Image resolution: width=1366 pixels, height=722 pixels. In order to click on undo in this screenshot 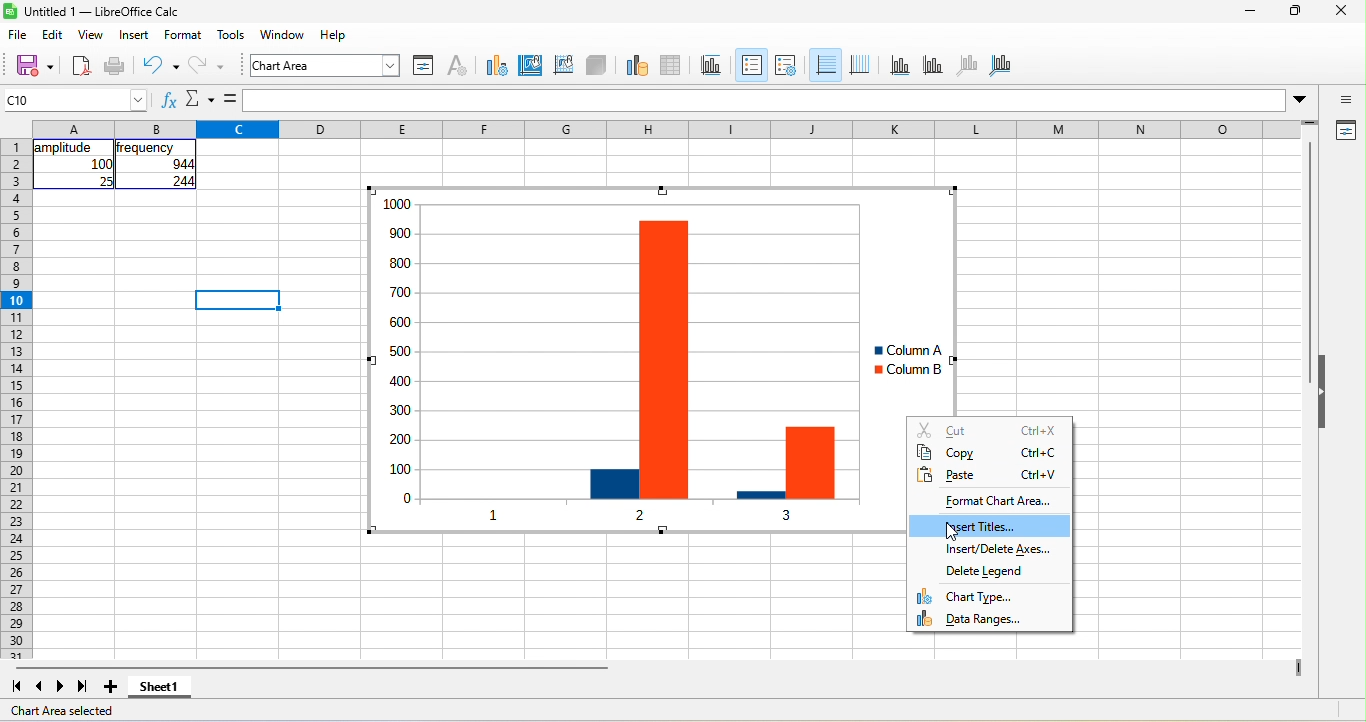, I will do `click(161, 67)`.